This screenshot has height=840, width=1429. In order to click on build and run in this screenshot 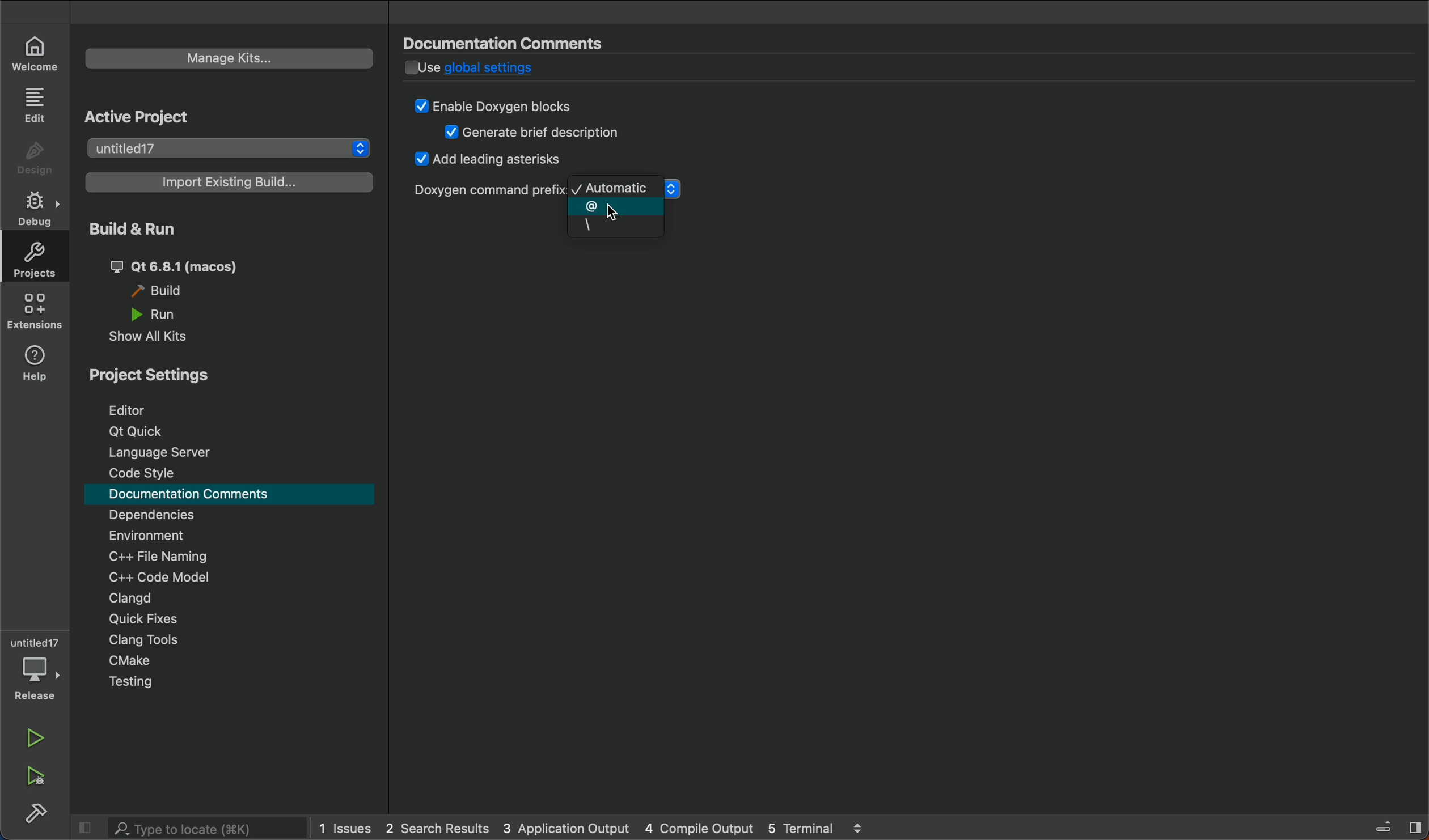, I will do `click(231, 231)`.